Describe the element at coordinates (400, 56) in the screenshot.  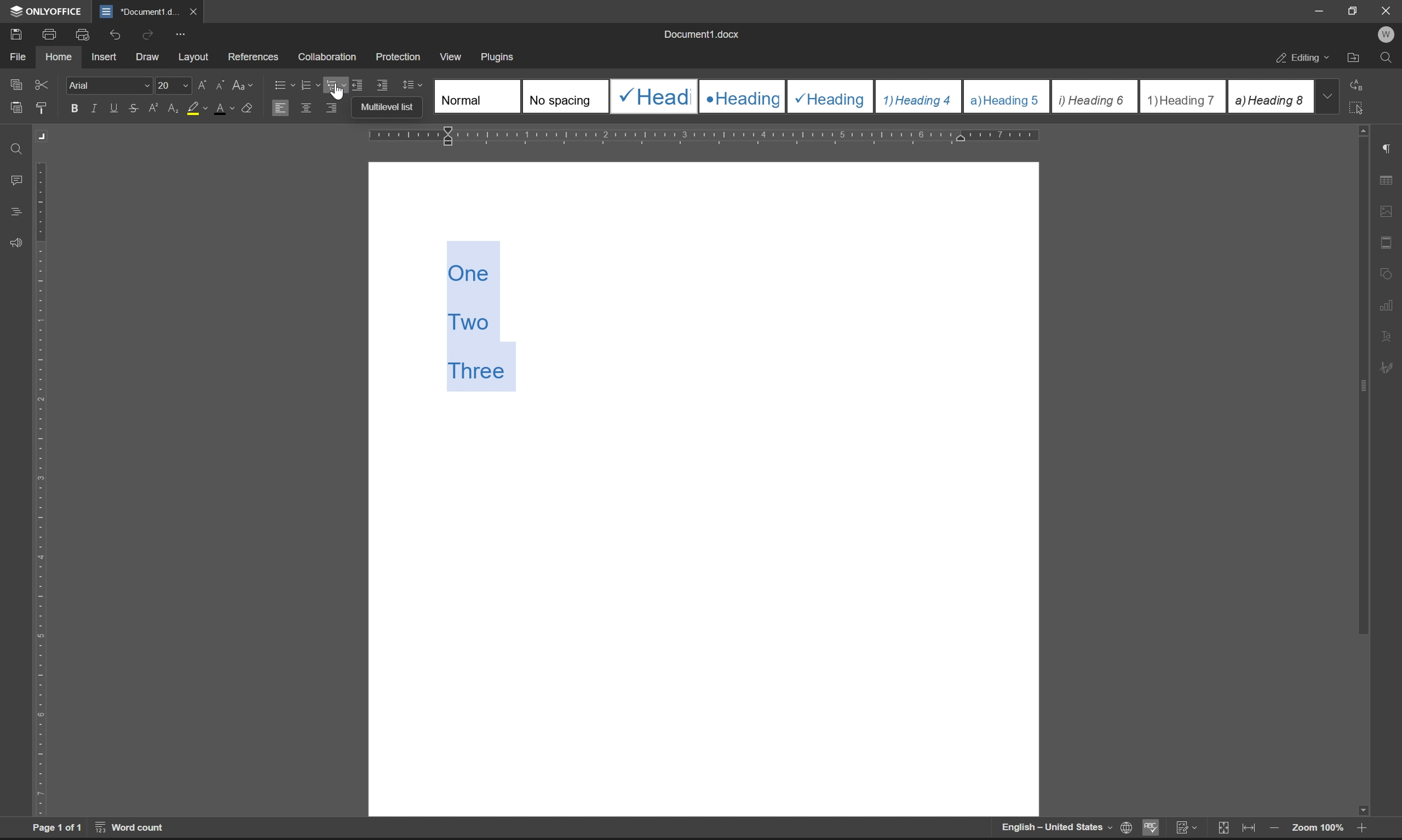
I see `protection` at that location.